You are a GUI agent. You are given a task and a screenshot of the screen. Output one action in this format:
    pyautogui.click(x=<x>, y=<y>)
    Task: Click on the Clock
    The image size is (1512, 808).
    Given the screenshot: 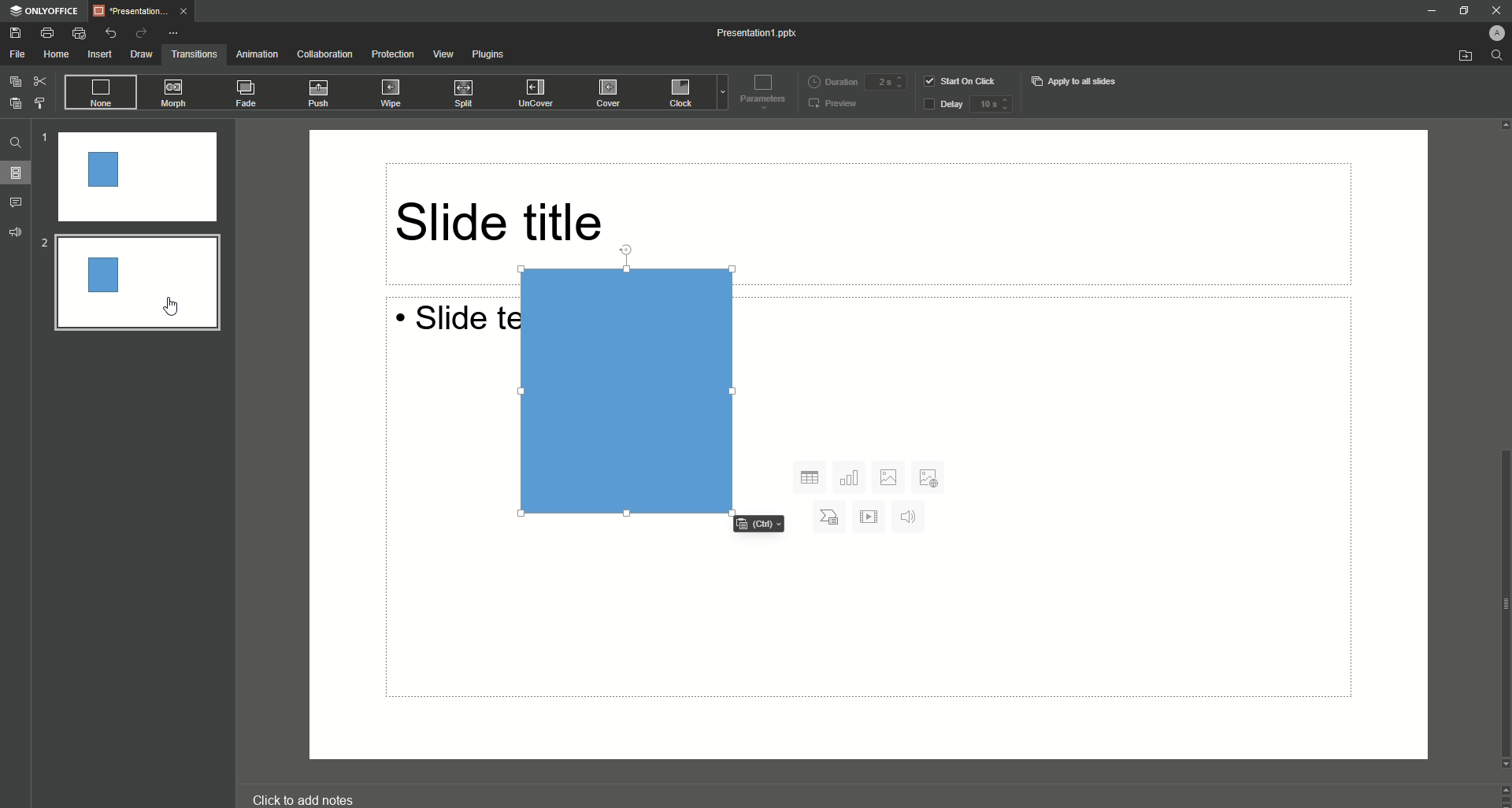 What is the action you would take?
    pyautogui.click(x=677, y=95)
    